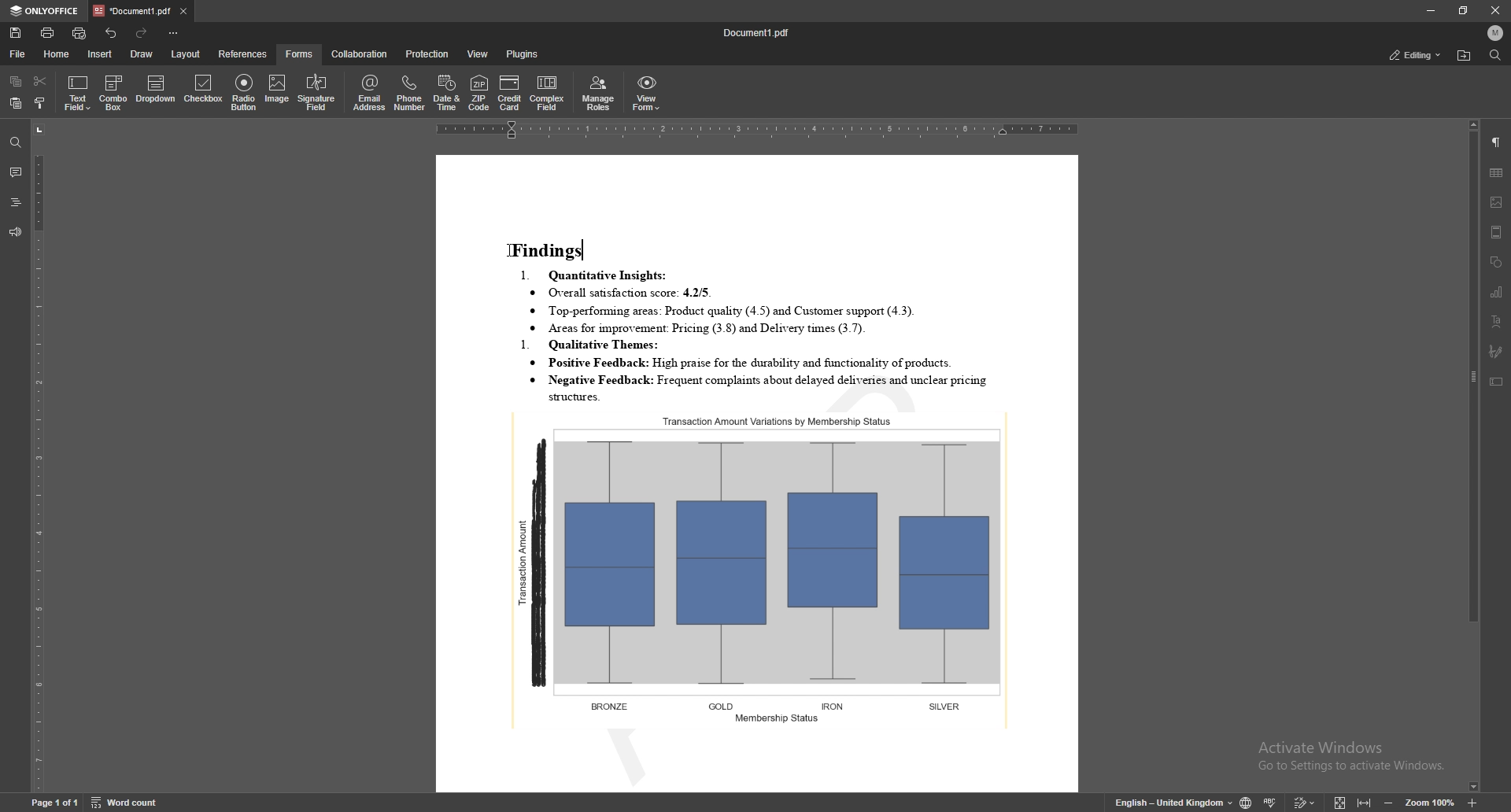 The image size is (1511, 812). Describe the element at coordinates (15, 172) in the screenshot. I see `comment` at that location.